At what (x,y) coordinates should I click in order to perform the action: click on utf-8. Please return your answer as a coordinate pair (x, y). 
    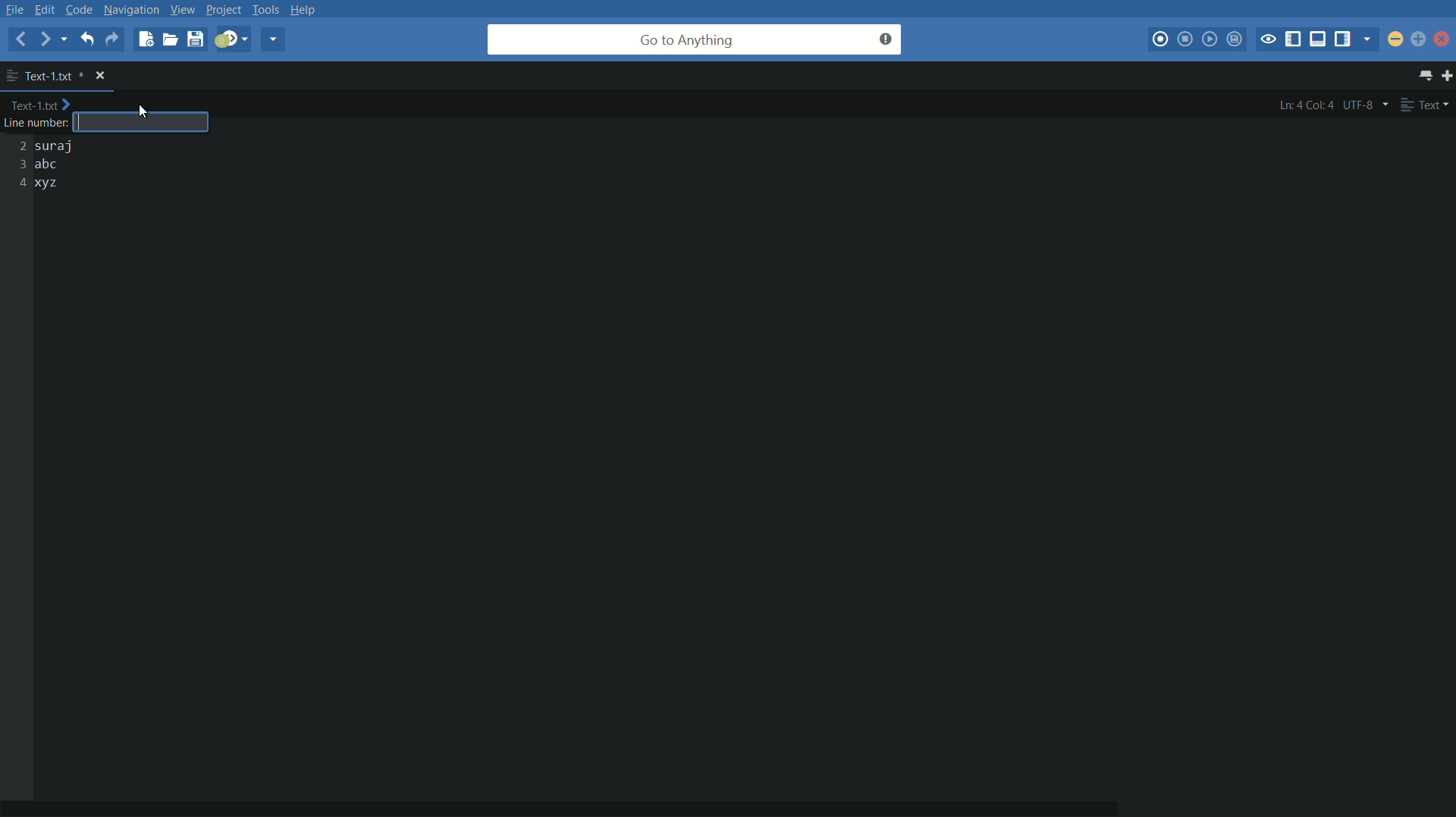
    Looking at the image, I should click on (1366, 105).